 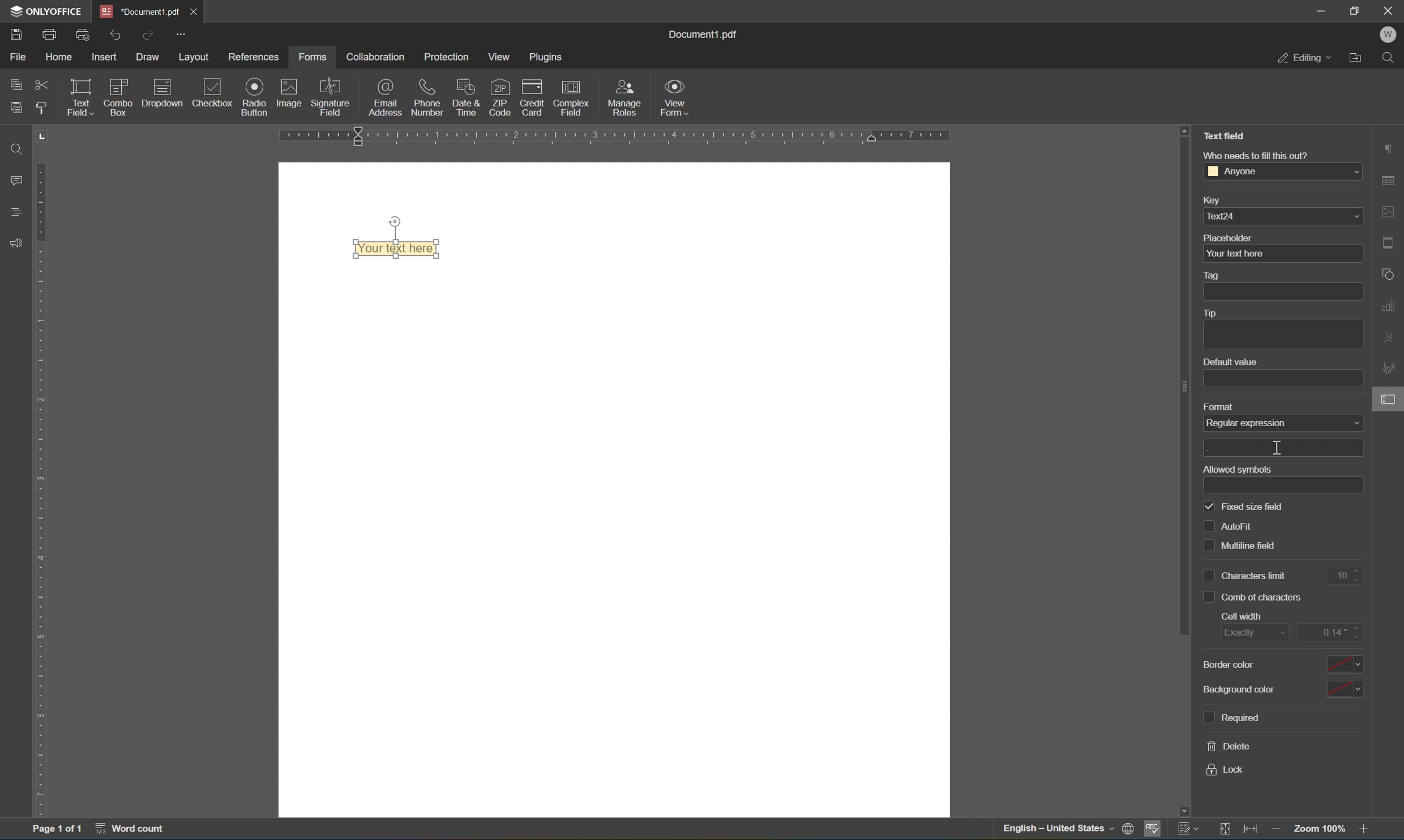 What do you see at coordinates (1230, 718) in the screenshot?
I see `required` at bounding box center [1230, 718].